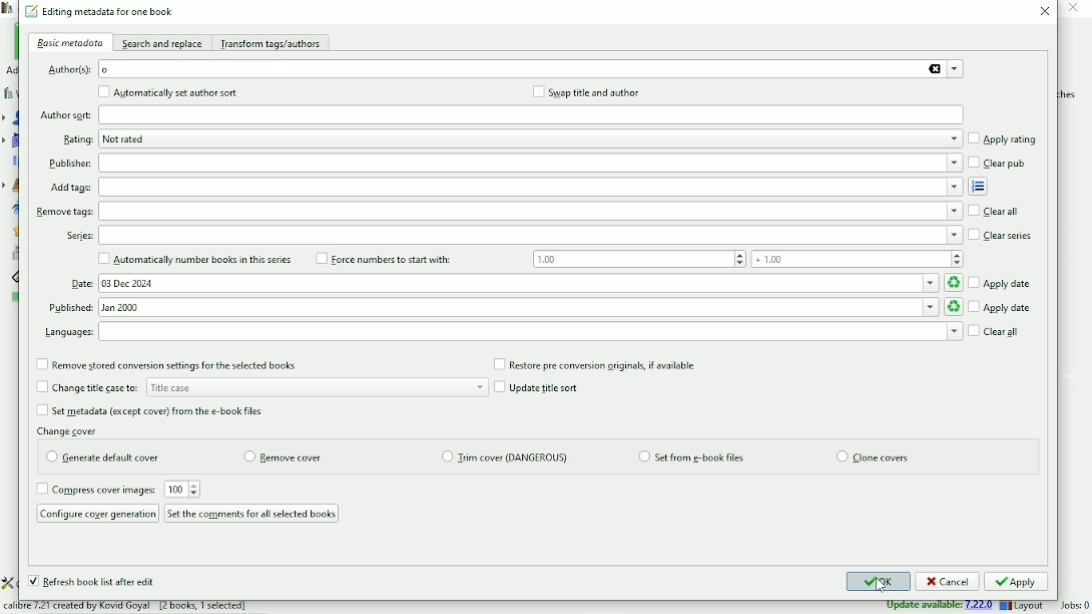 The height and width of the screenshot is (614, 1092). I want to click on Cursor, so click(880, 586).